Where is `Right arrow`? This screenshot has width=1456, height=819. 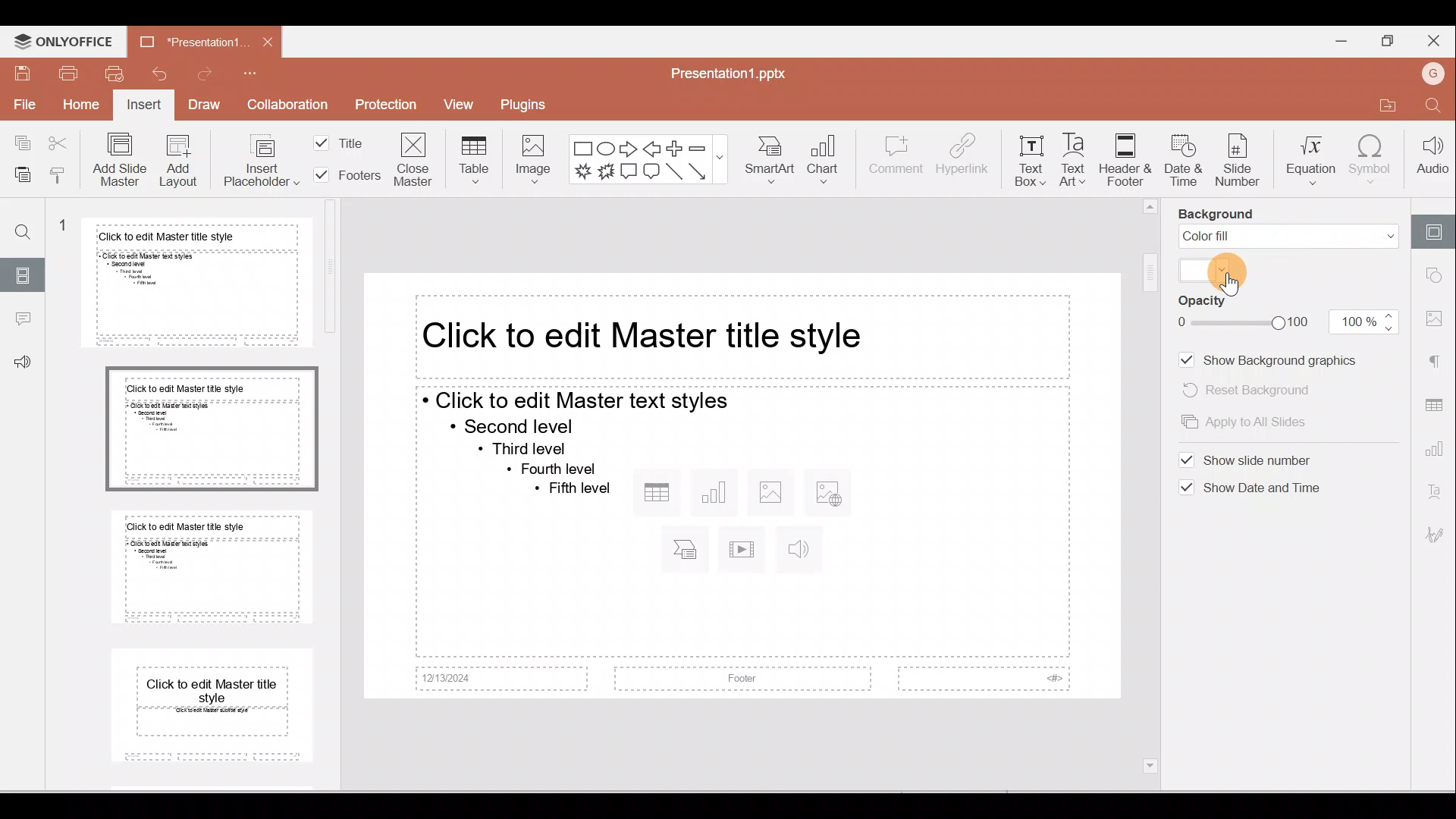 Right arrow is located at coordinates (629, 148).